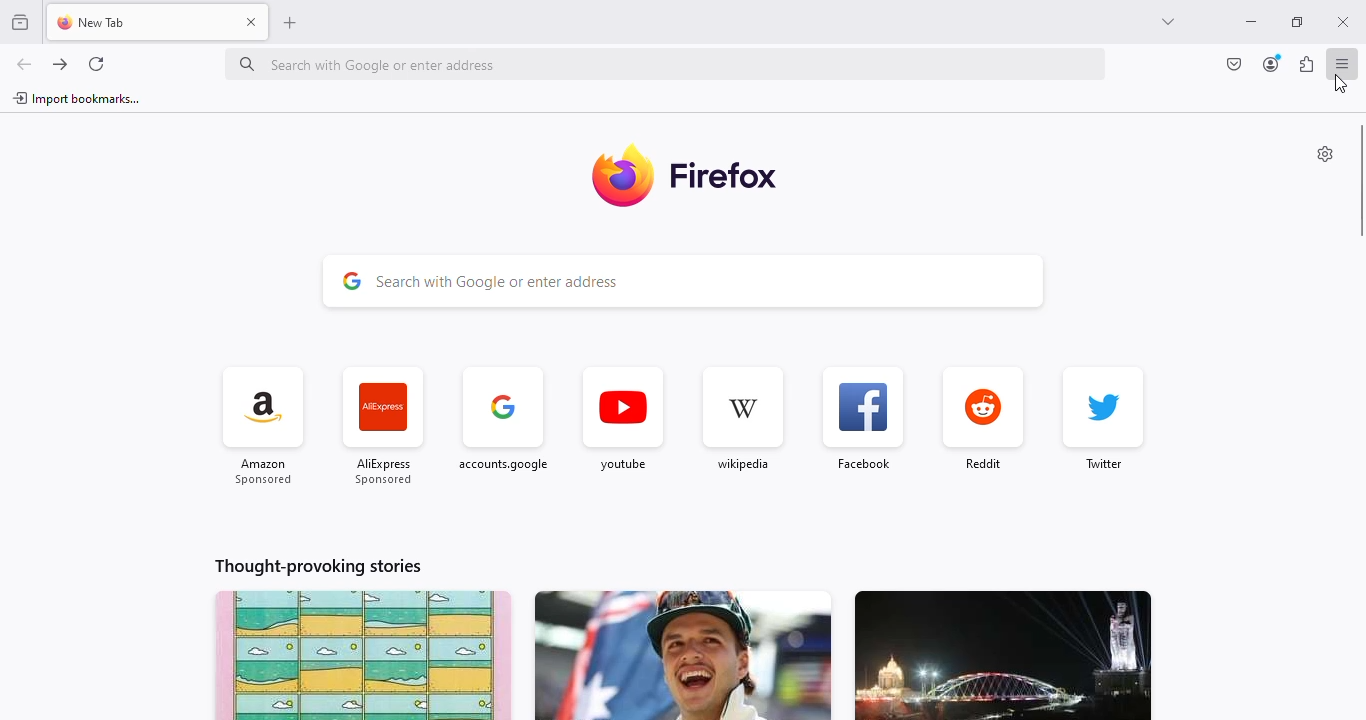 The width and height of the screenshot is (1366, 720). Describe the element at coordinates (683, 282) in the screenshot. I see `search` at that location.